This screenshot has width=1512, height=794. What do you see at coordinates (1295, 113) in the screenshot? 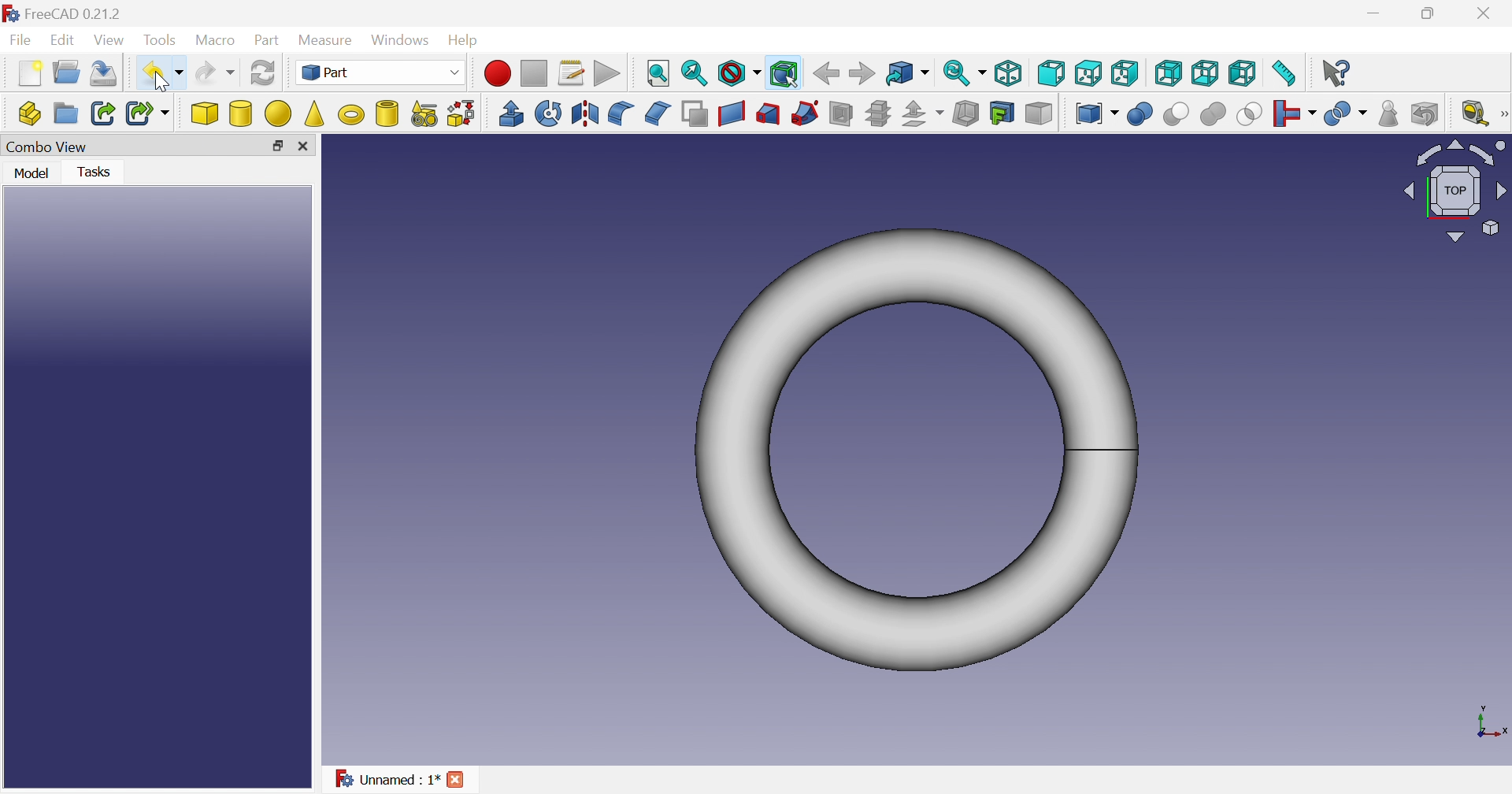
I see `Join objects...` at bounding box center [1295, 113].